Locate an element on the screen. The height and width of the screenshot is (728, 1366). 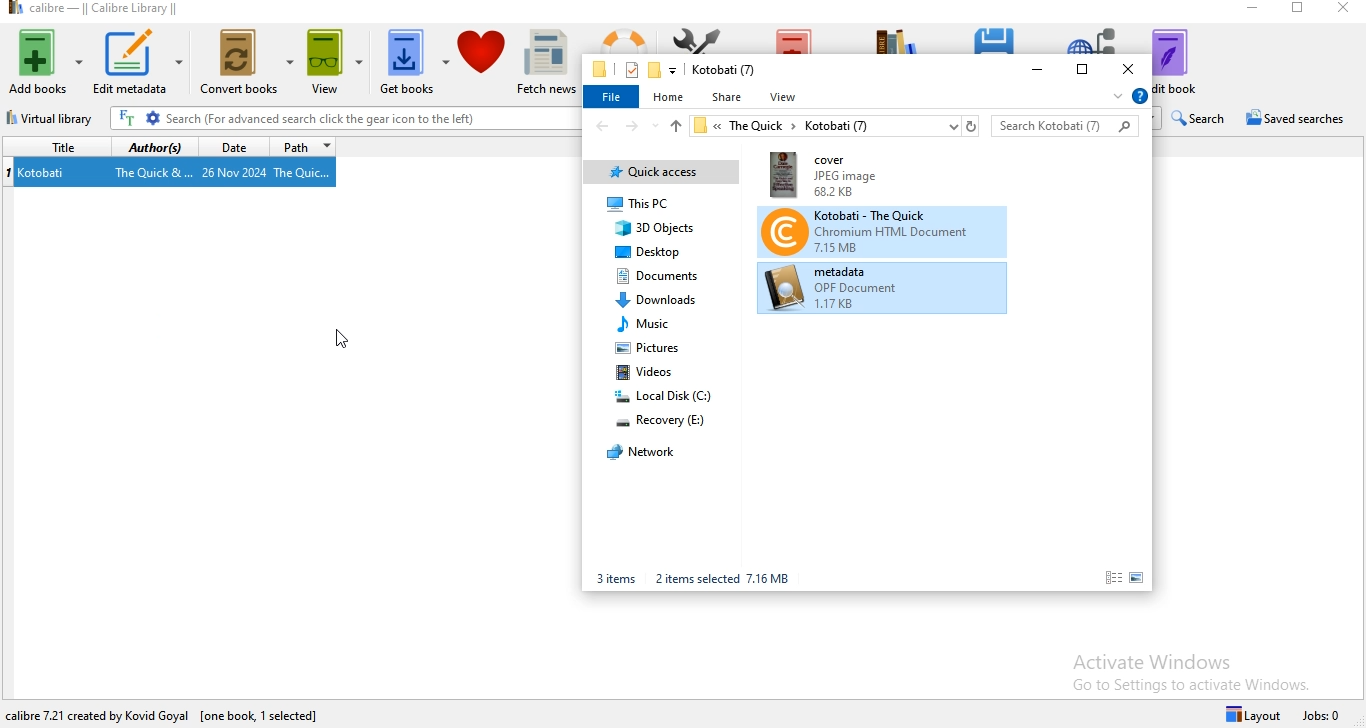
the quick & ... is located at coordinates (152, 174).